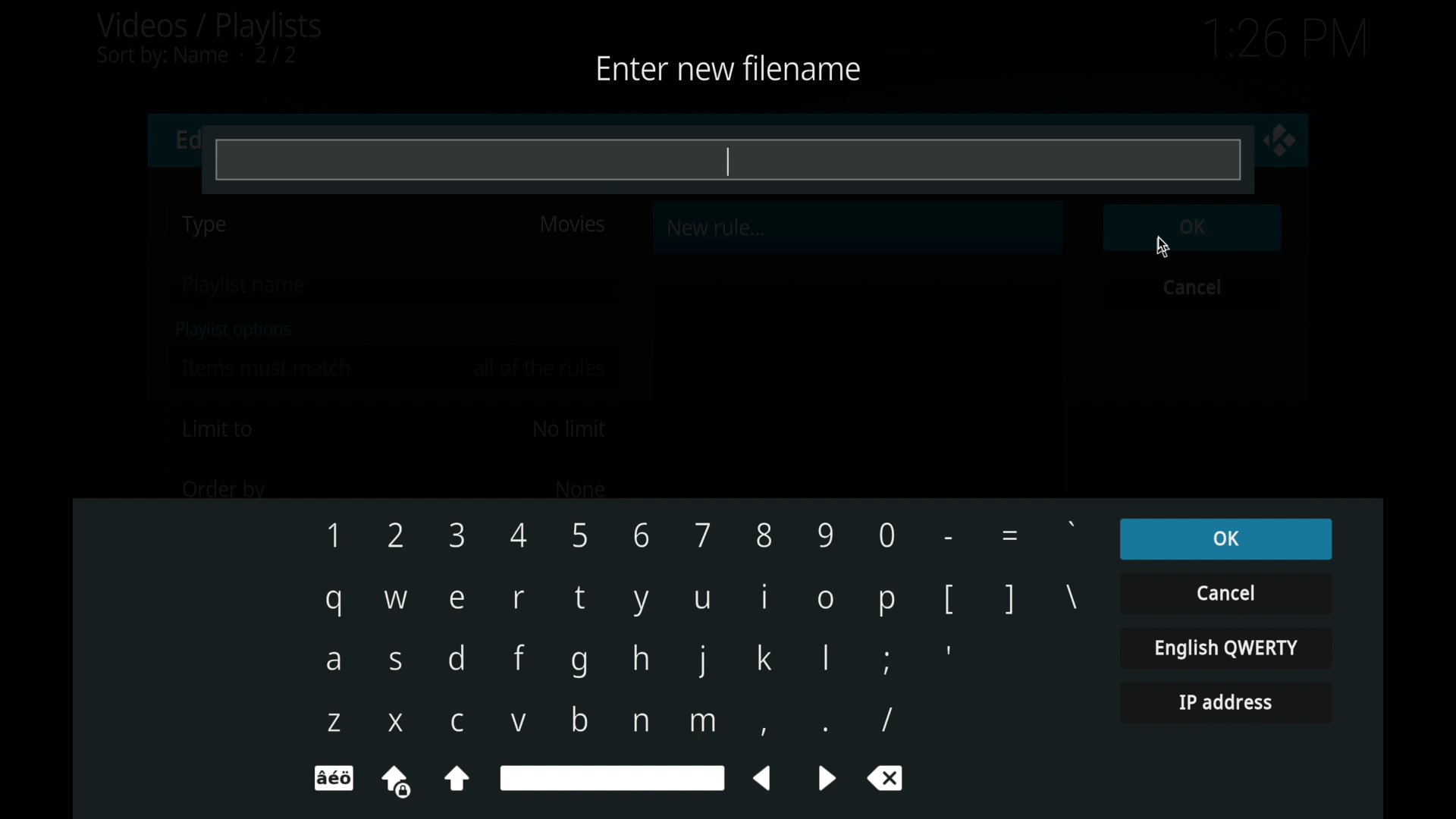  I want to click on ok, so click(1225, 539).